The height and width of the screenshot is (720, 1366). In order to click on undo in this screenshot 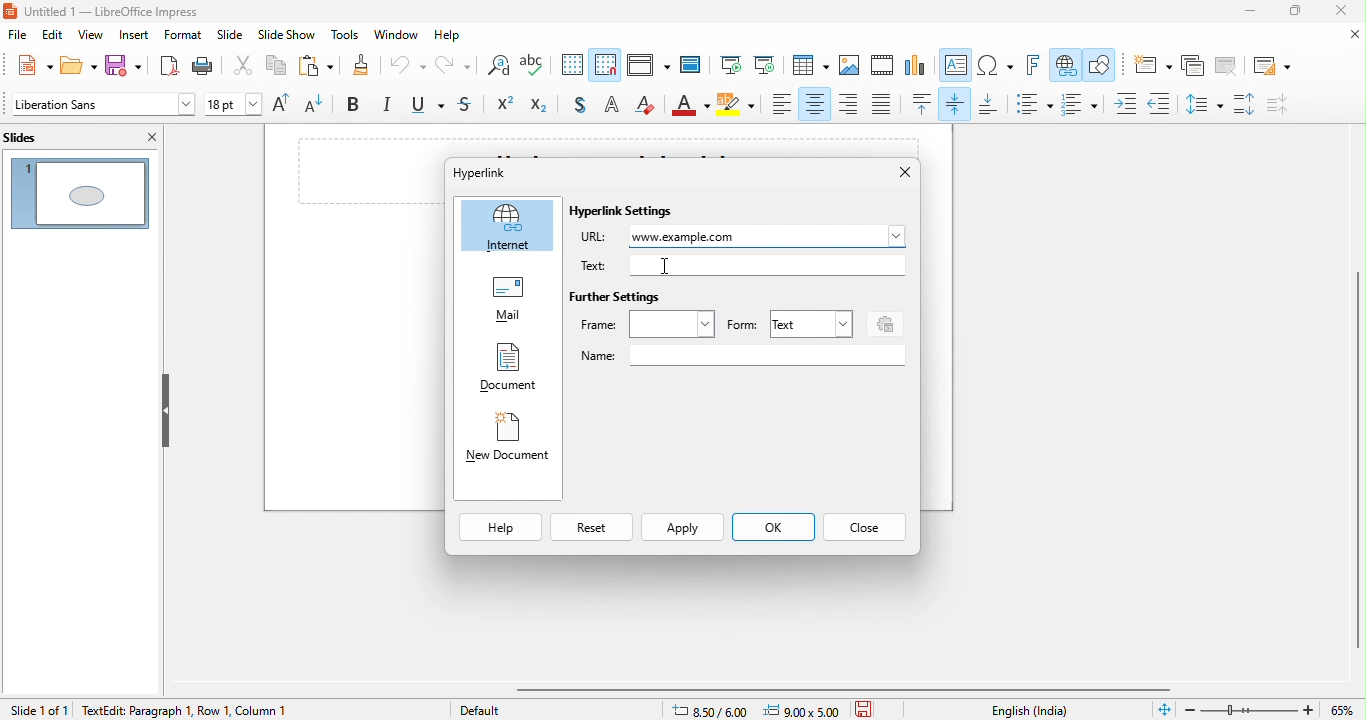, I will do `click(408, 69)`.